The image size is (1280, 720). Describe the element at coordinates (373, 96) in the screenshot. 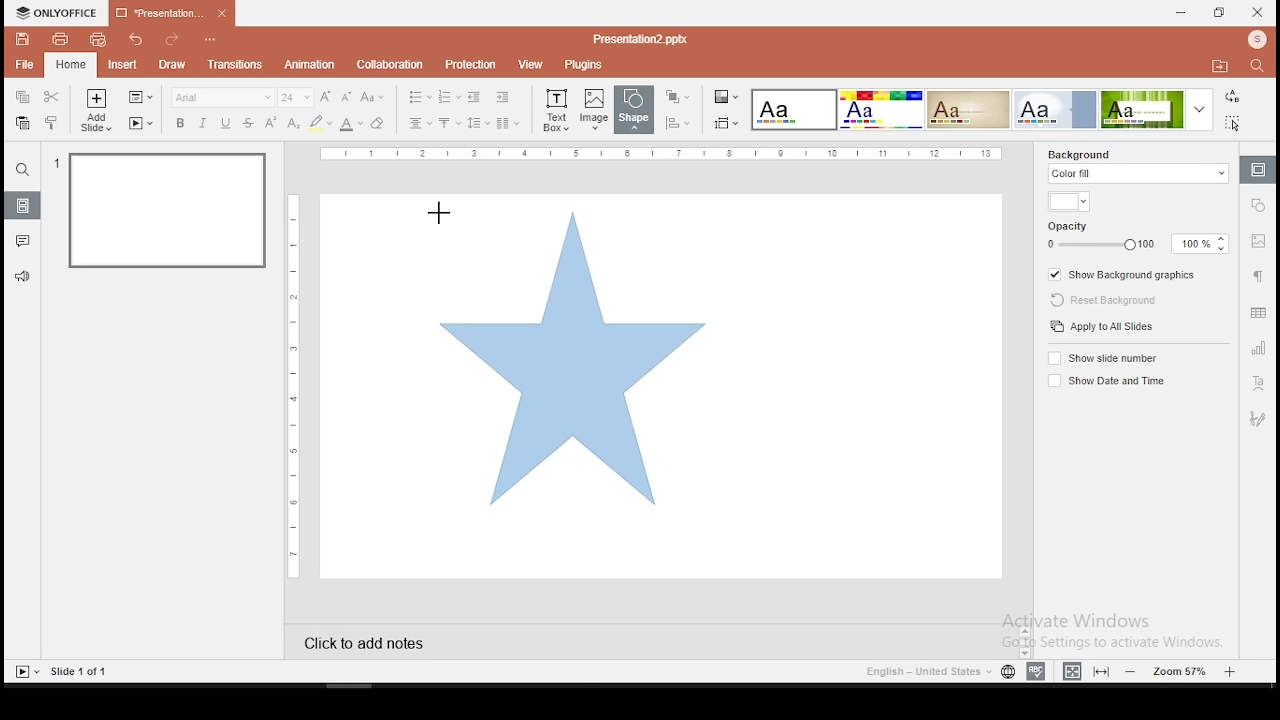

I see `change case` at that location.